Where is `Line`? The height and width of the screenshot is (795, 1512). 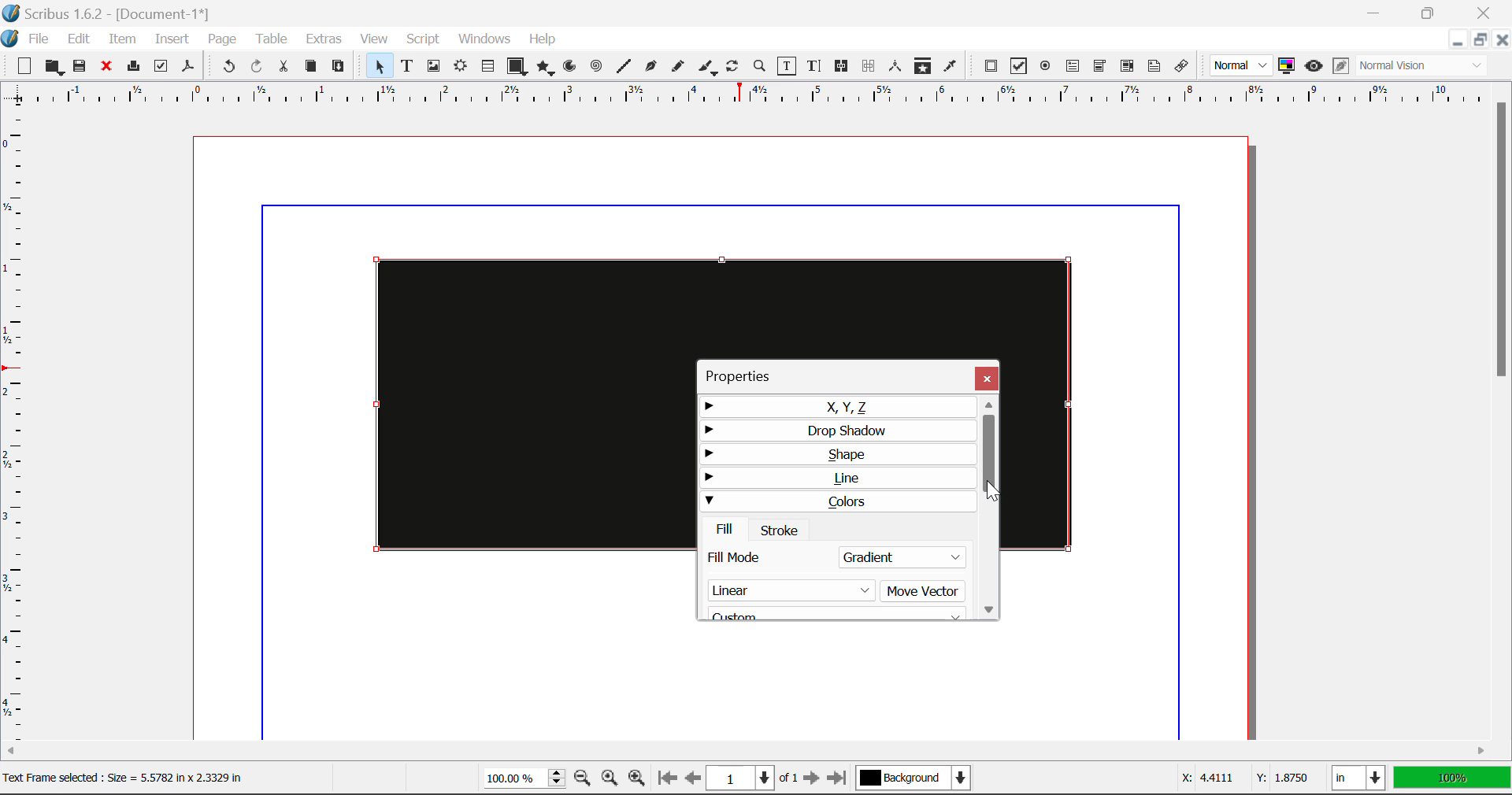 Line is located at coordinates (837, 478).